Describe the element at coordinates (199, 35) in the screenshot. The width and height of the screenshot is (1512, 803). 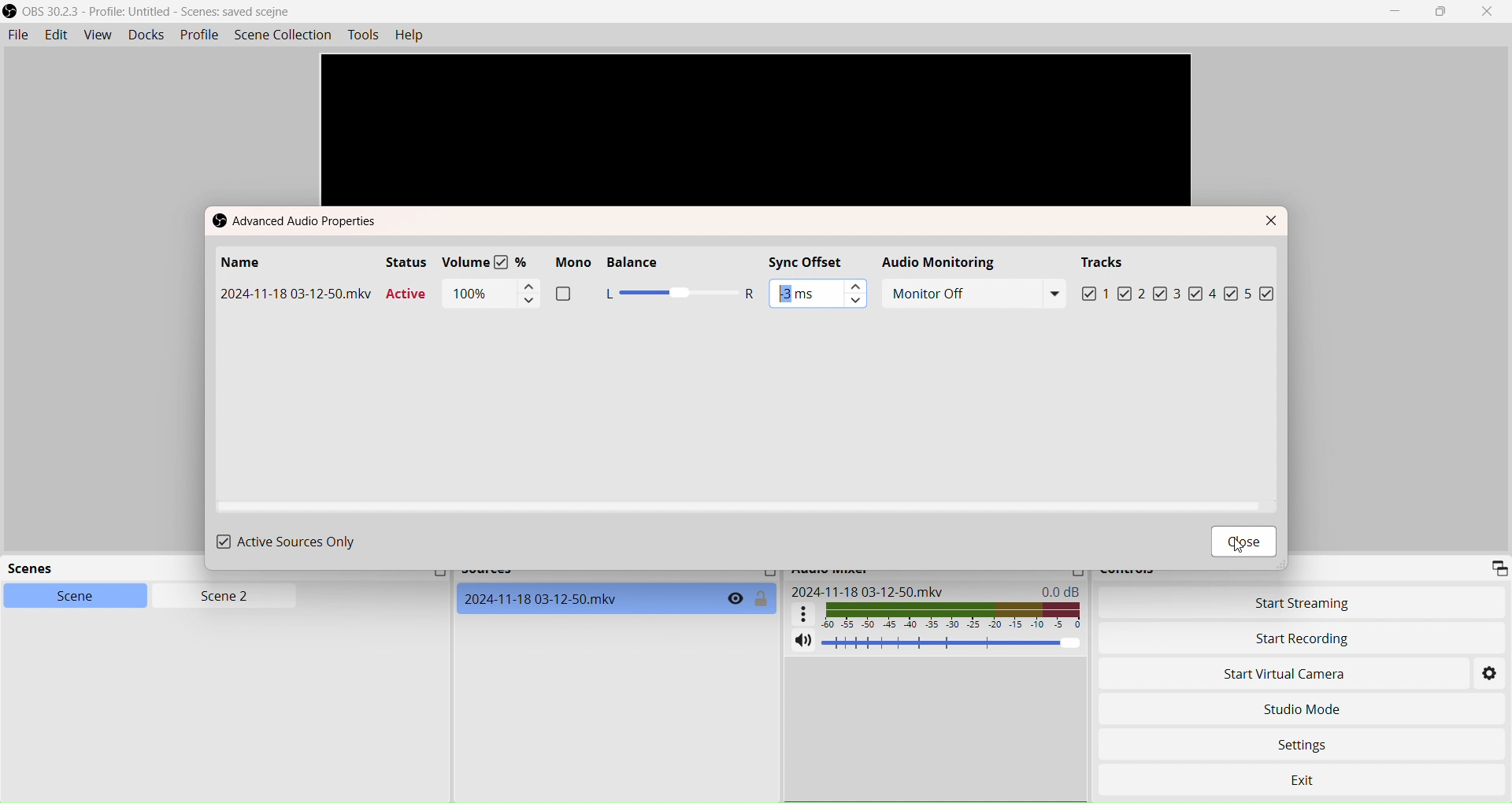
I see `Profile` at that location.